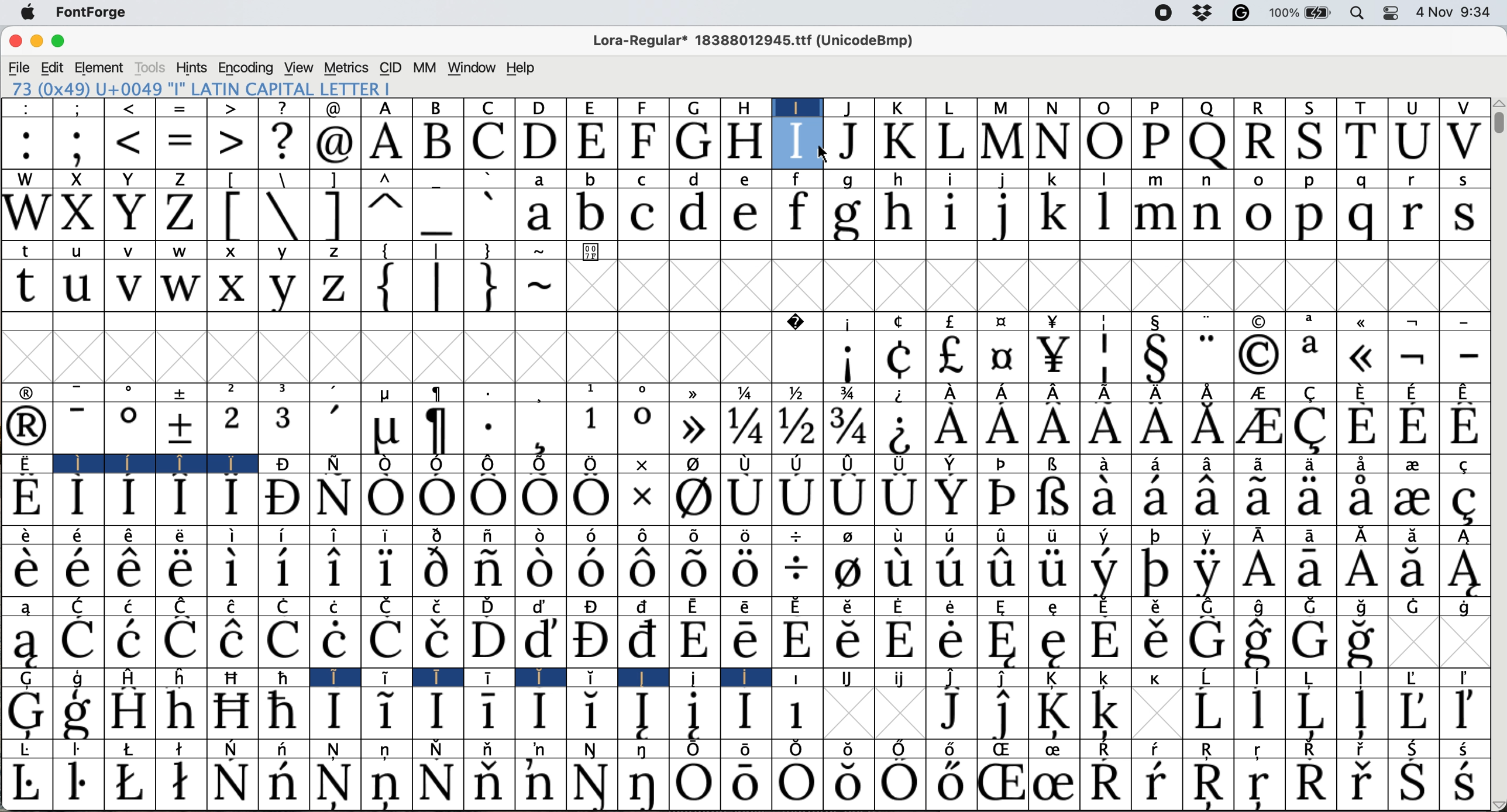  What do you see at coordinates (952, 143) in the screenshot?
I see `L` at bounding box center [952, 143].